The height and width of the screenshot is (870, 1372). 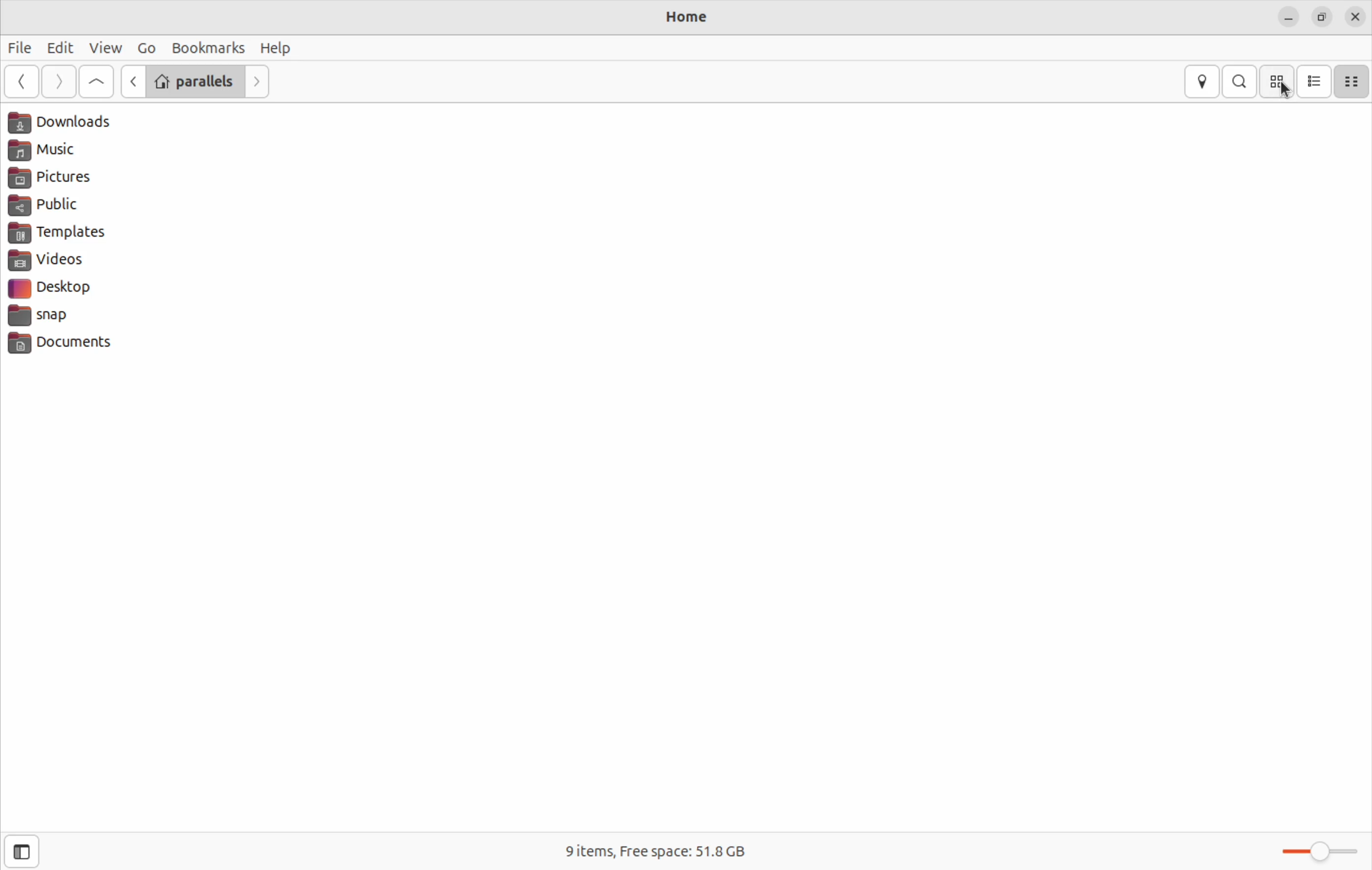 I want to click on desktop, so click(x=58, y=288).